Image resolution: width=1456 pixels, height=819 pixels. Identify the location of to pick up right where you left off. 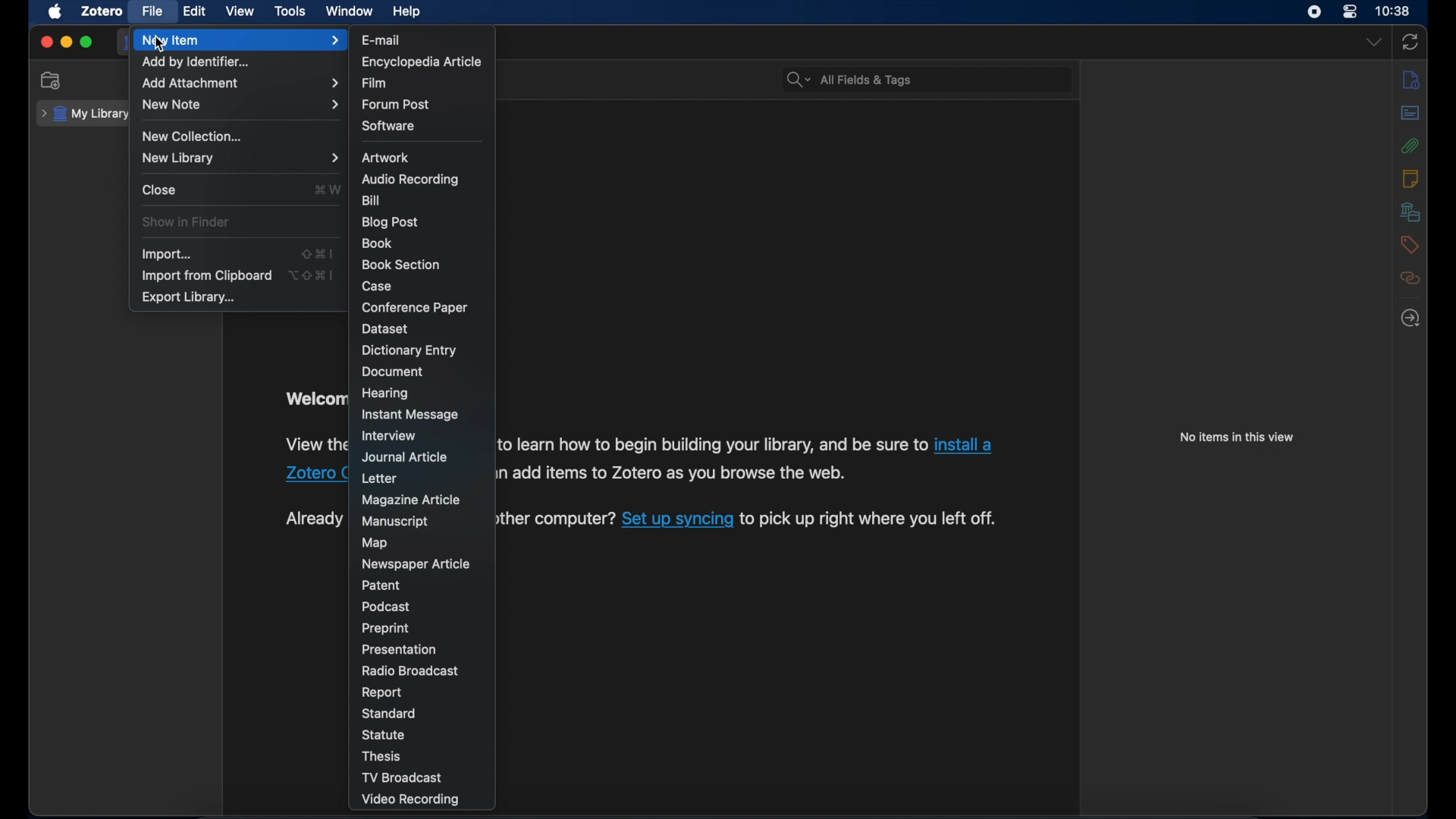
(872, 520).